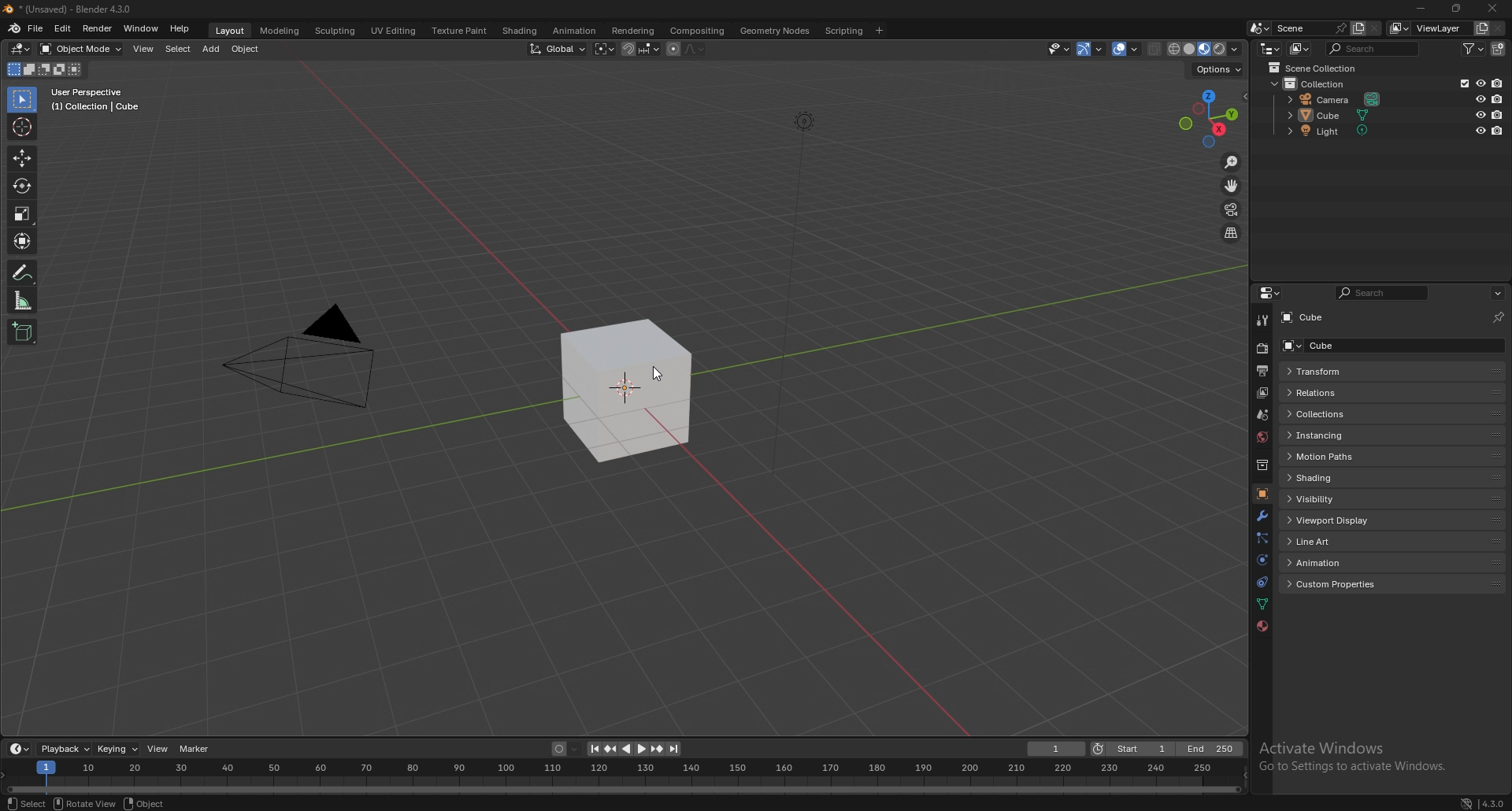 This screenshot has width=1512, height=811. I want to click on transform pivot point, so click(603, 48).